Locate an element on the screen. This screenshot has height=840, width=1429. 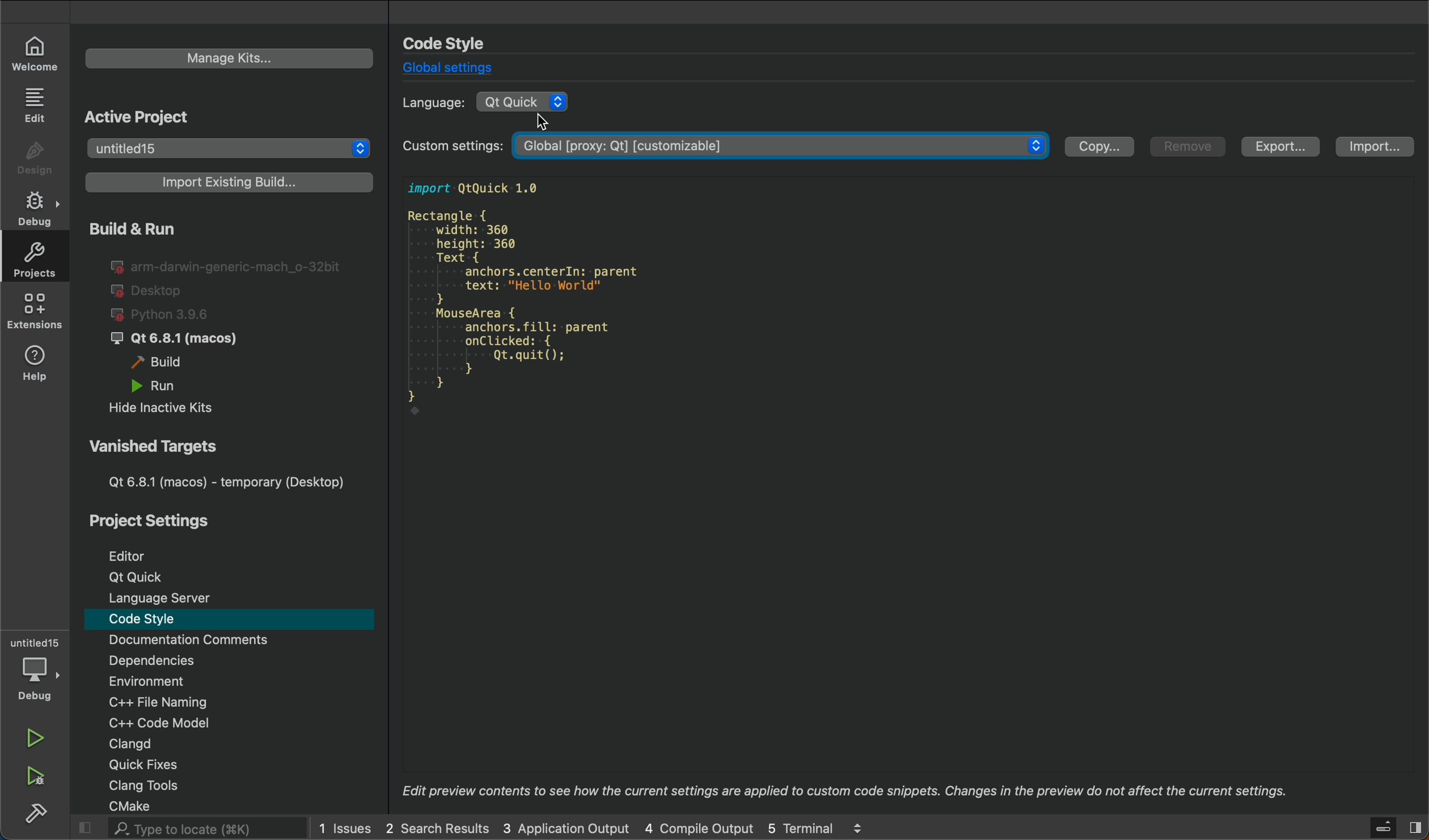
project select is located at coordinates (230, 150).